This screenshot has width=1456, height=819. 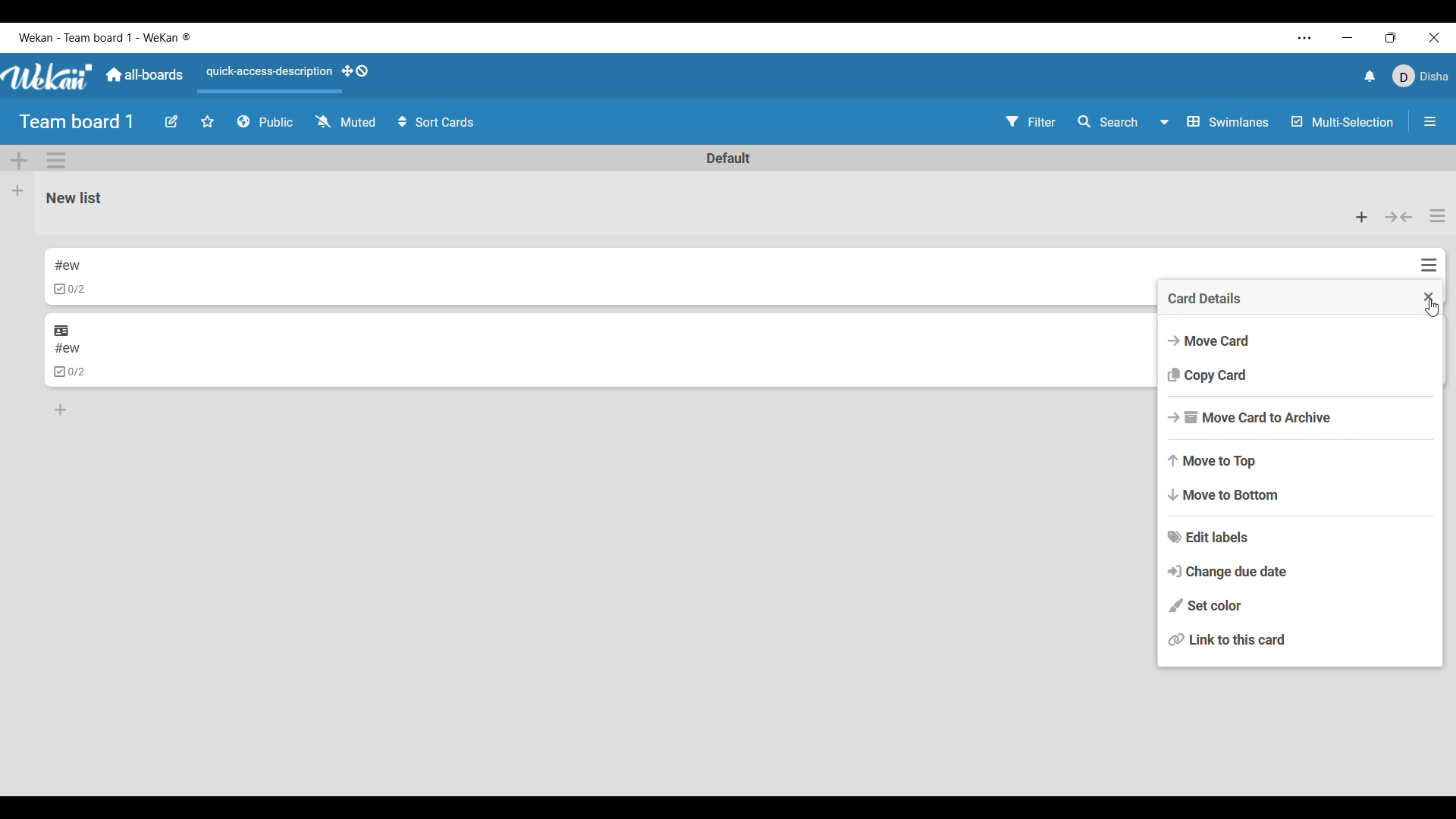 I want to click on Search, so click(x=1108, y=122).